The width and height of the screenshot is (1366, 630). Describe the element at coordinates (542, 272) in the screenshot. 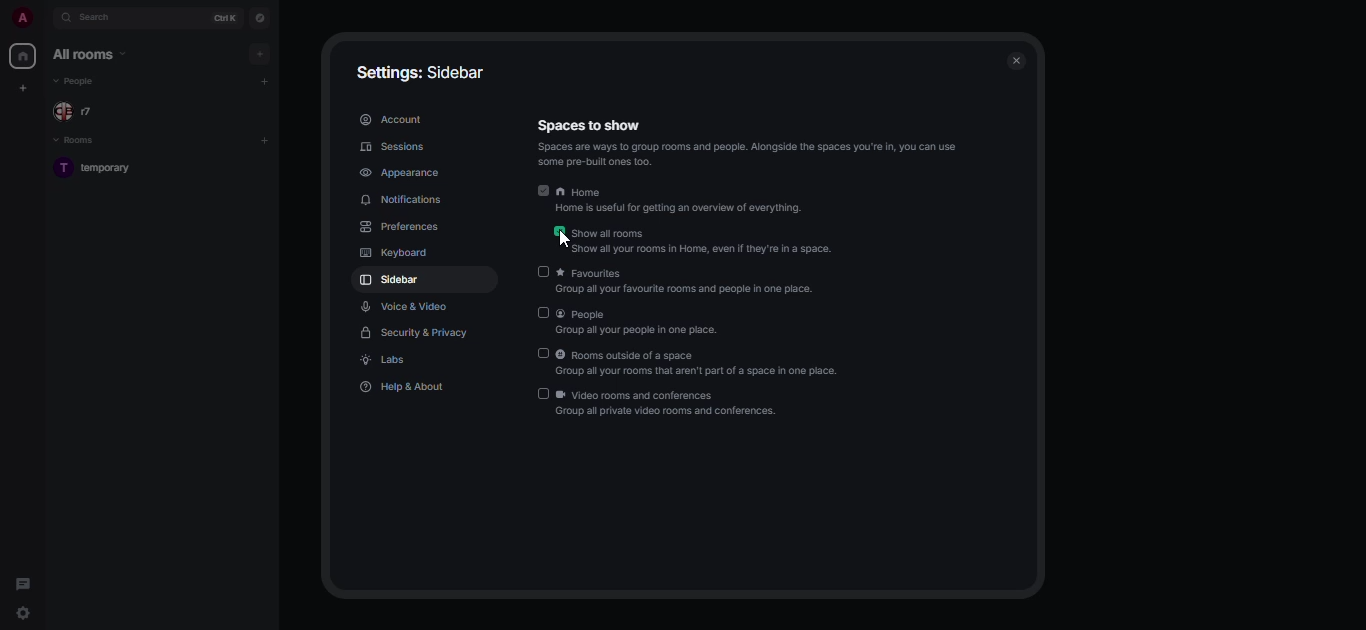

I see `disabled` at that location.